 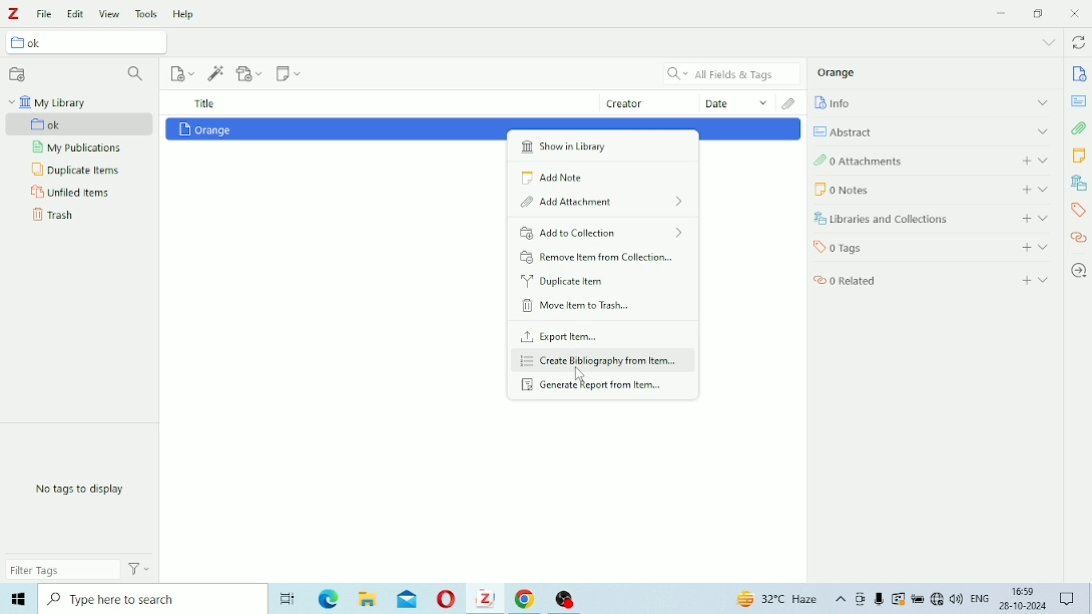 I want to click on ok, so click(x=91, y=44).